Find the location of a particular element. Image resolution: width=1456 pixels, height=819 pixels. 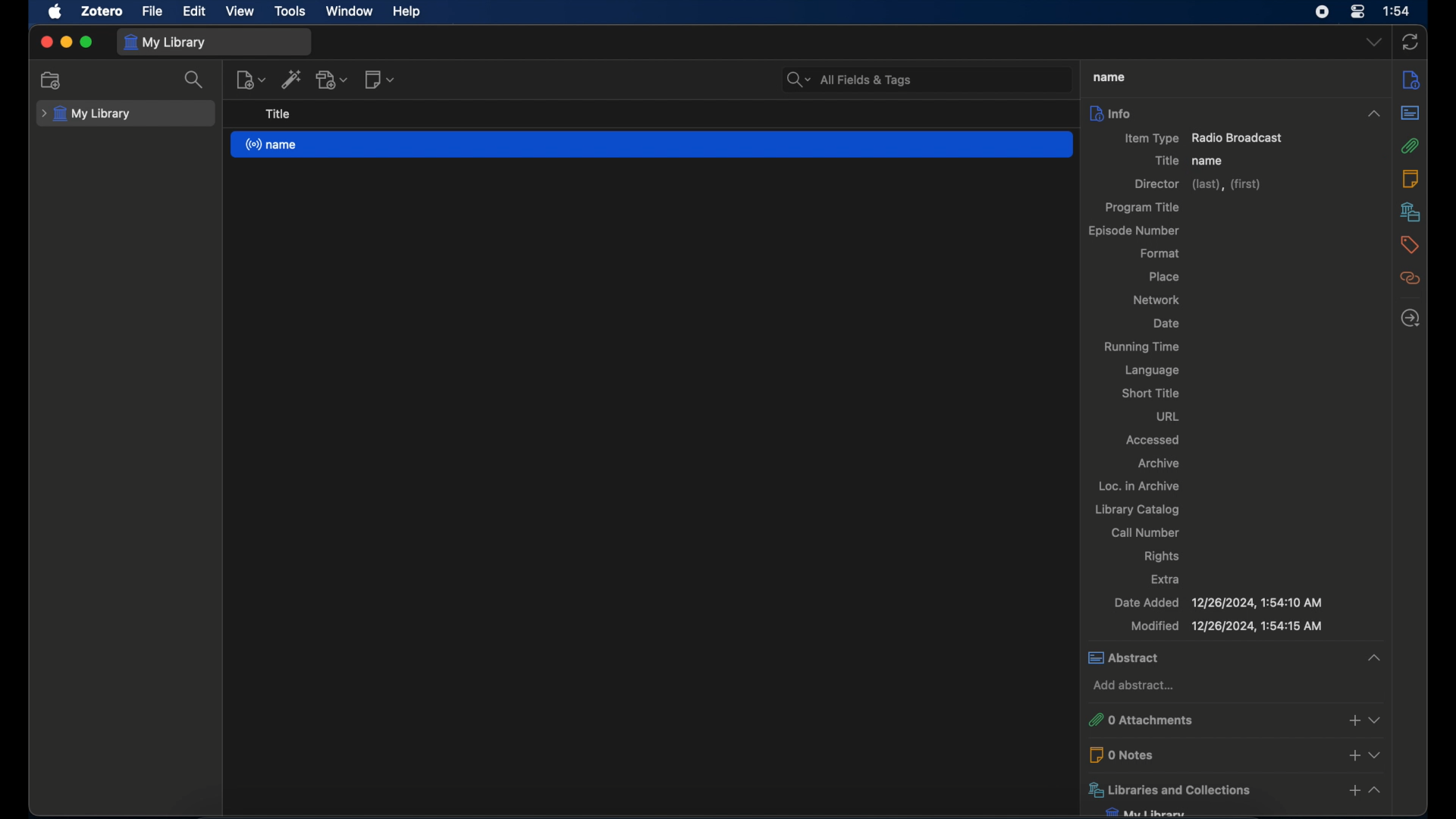

abstract is located at coordinates (1411, 113).